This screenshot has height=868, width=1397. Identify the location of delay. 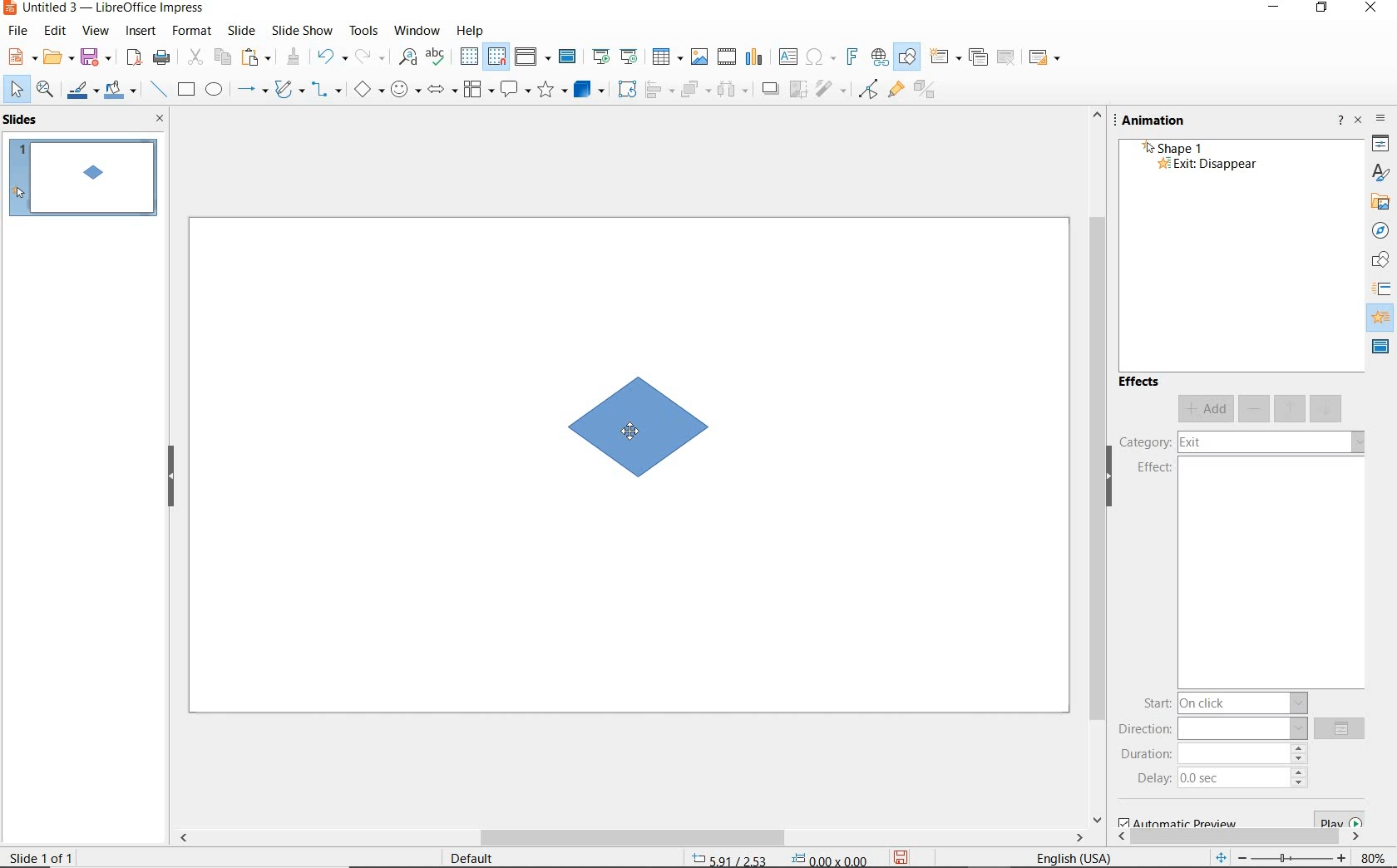
(1222, 782).